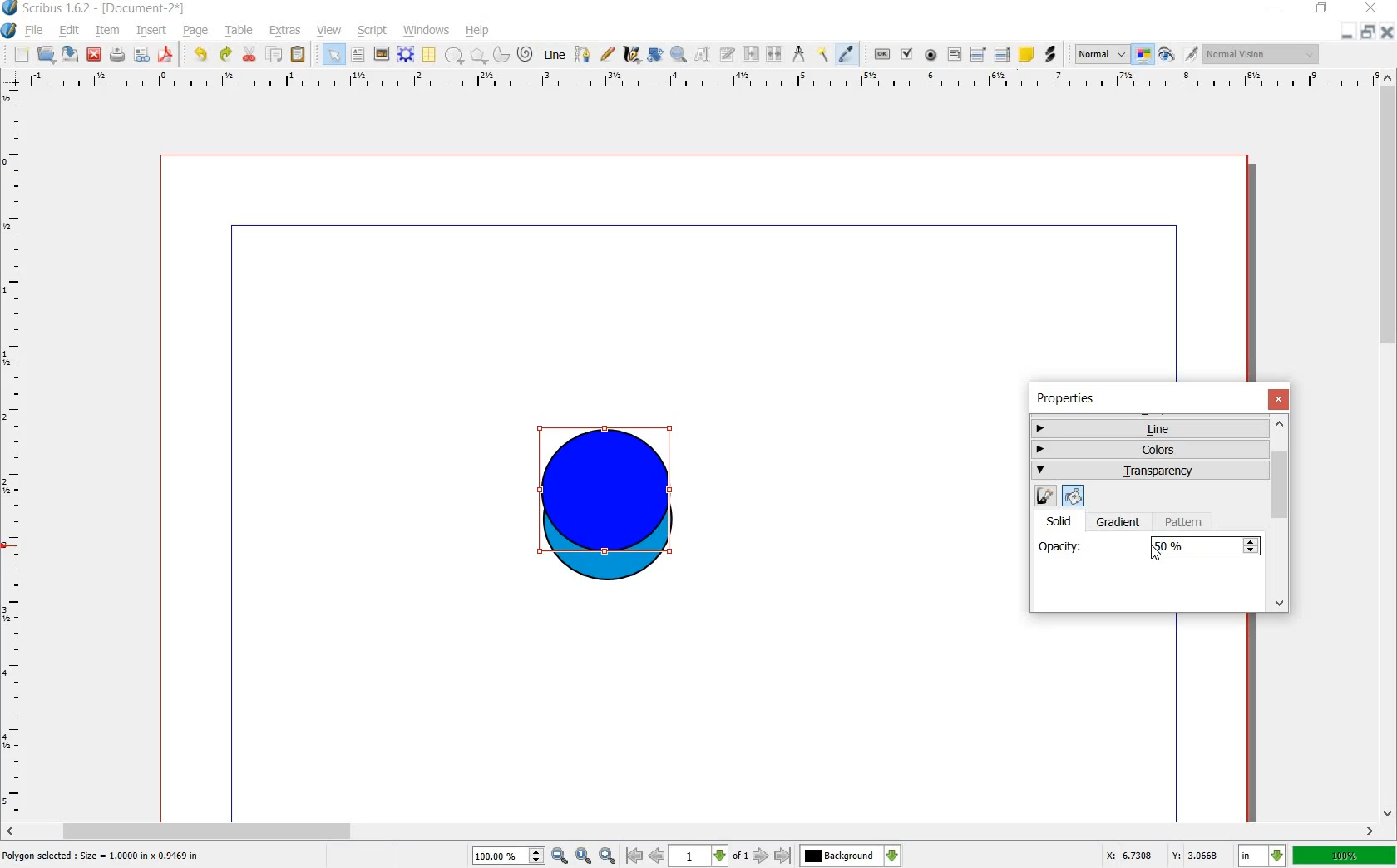  Describe the element at coordinates (477, 56) in the screenshot. I see `polygon` at that location.